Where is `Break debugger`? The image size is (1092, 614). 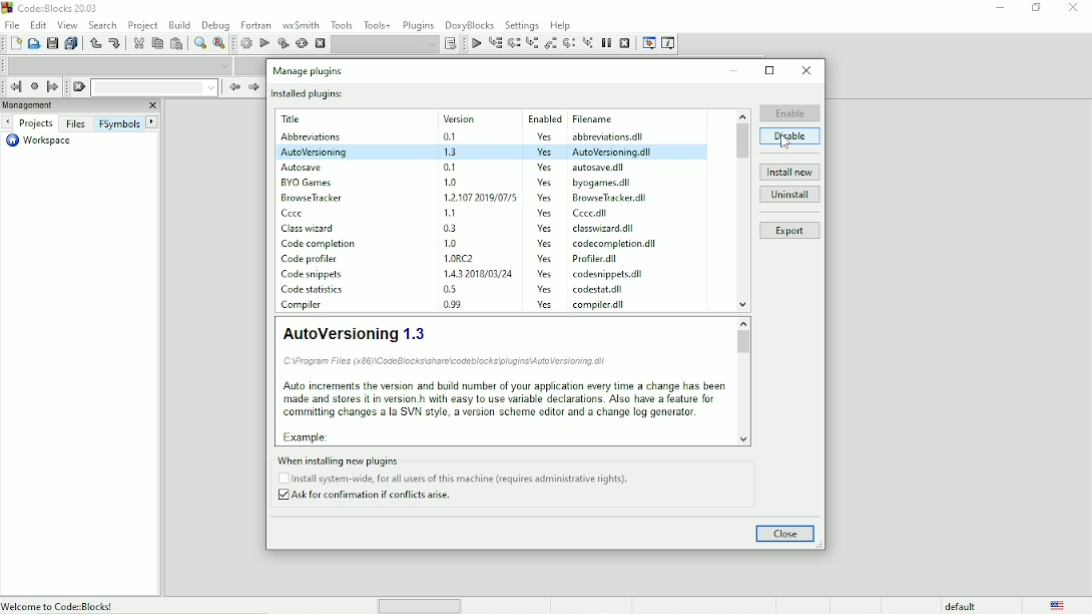
Break debugger is located at coordinates (606, 43).